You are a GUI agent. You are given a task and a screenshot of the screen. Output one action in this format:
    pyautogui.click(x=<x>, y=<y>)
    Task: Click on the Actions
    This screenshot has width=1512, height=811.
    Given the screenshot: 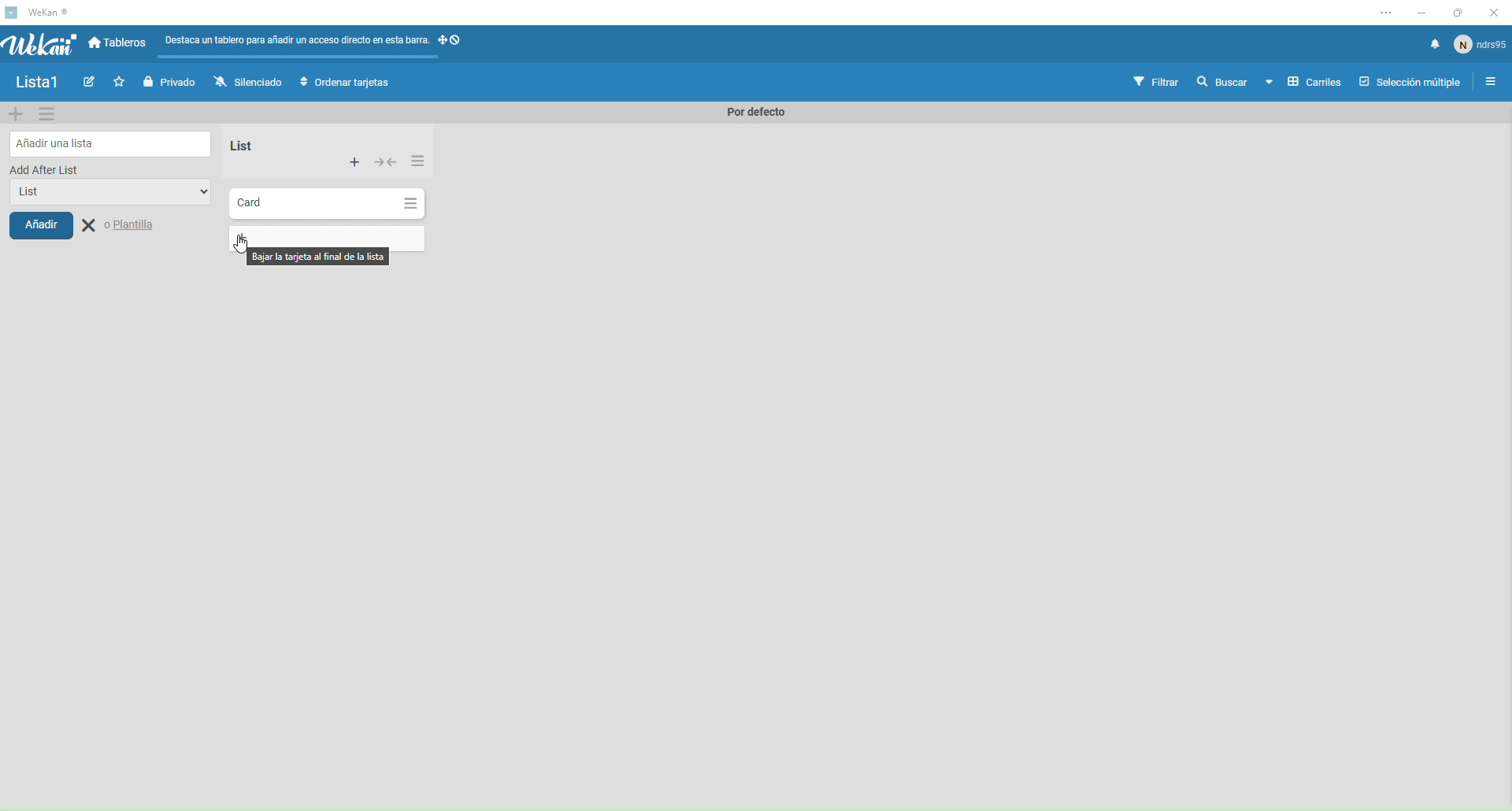 What is the action you would take?
    pyautogui.click(x=387, y=164)
    